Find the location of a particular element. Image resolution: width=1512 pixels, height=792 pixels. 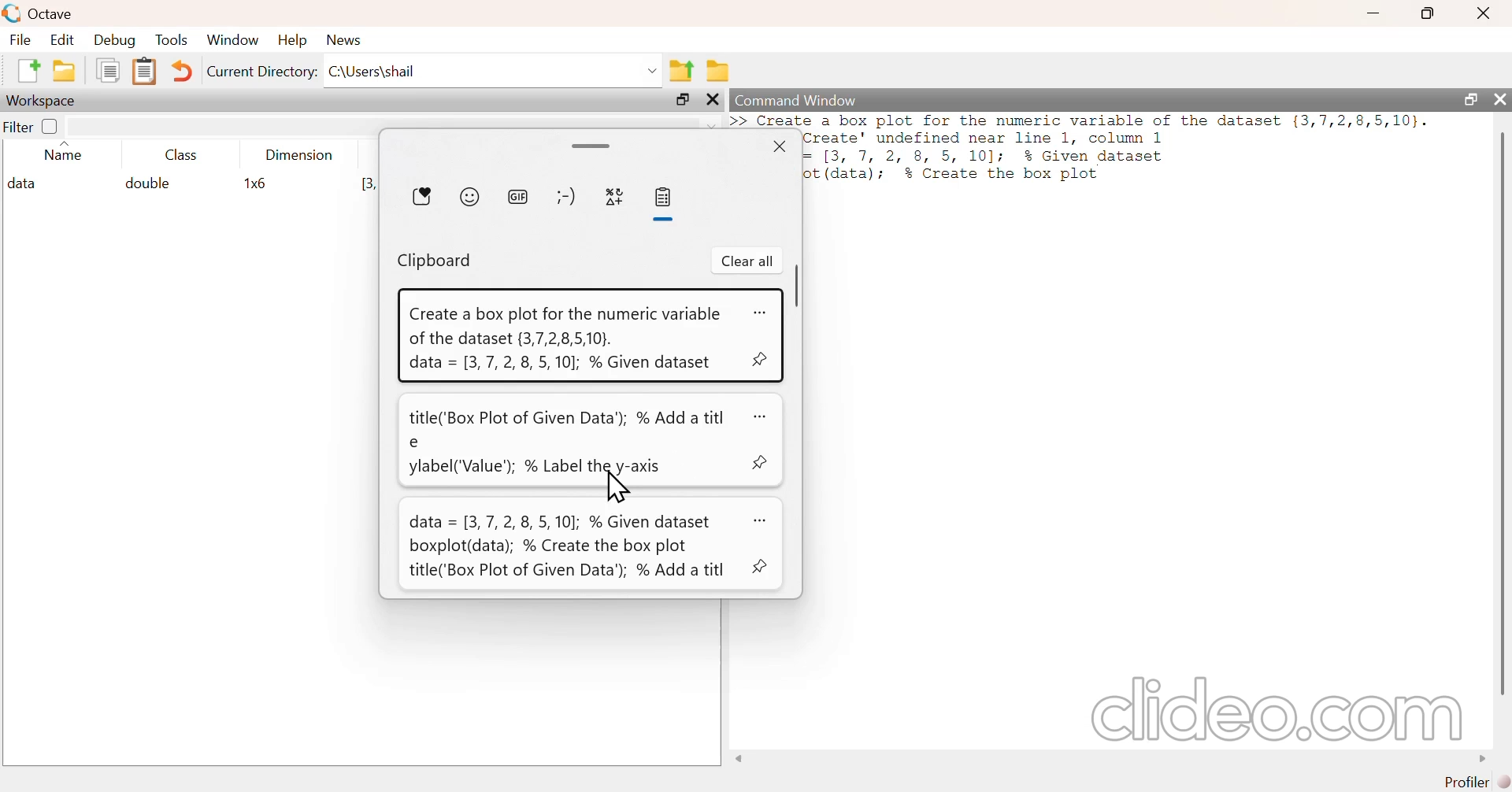

command window is located at coordinates (803, 99).